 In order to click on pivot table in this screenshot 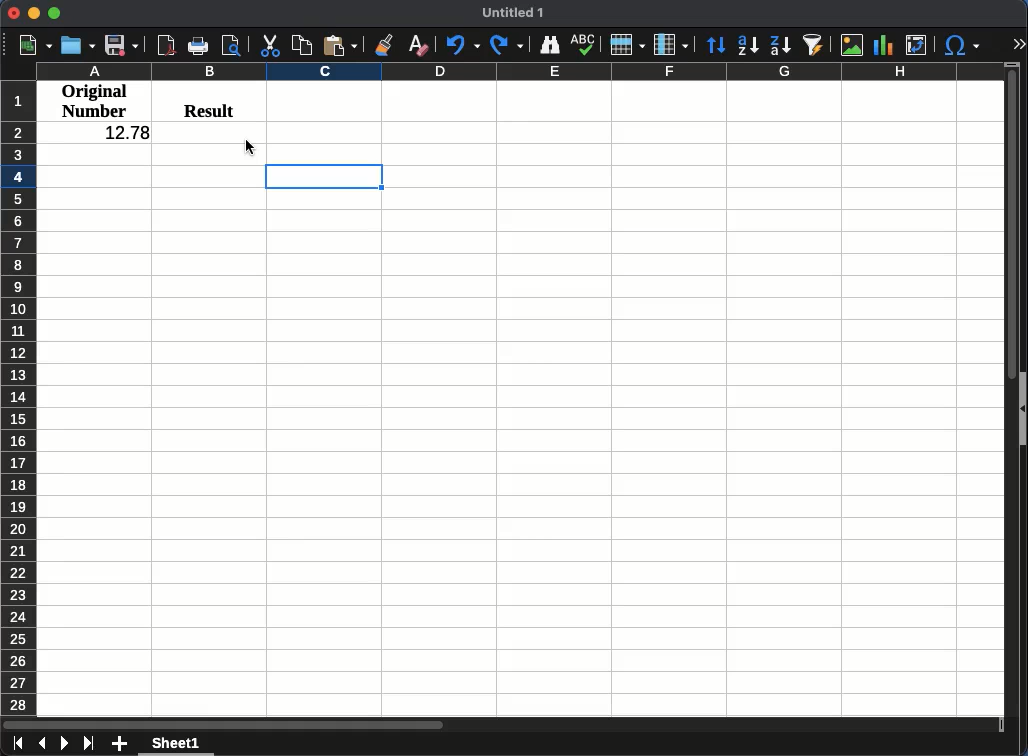, I will do `click(917, 44)`.